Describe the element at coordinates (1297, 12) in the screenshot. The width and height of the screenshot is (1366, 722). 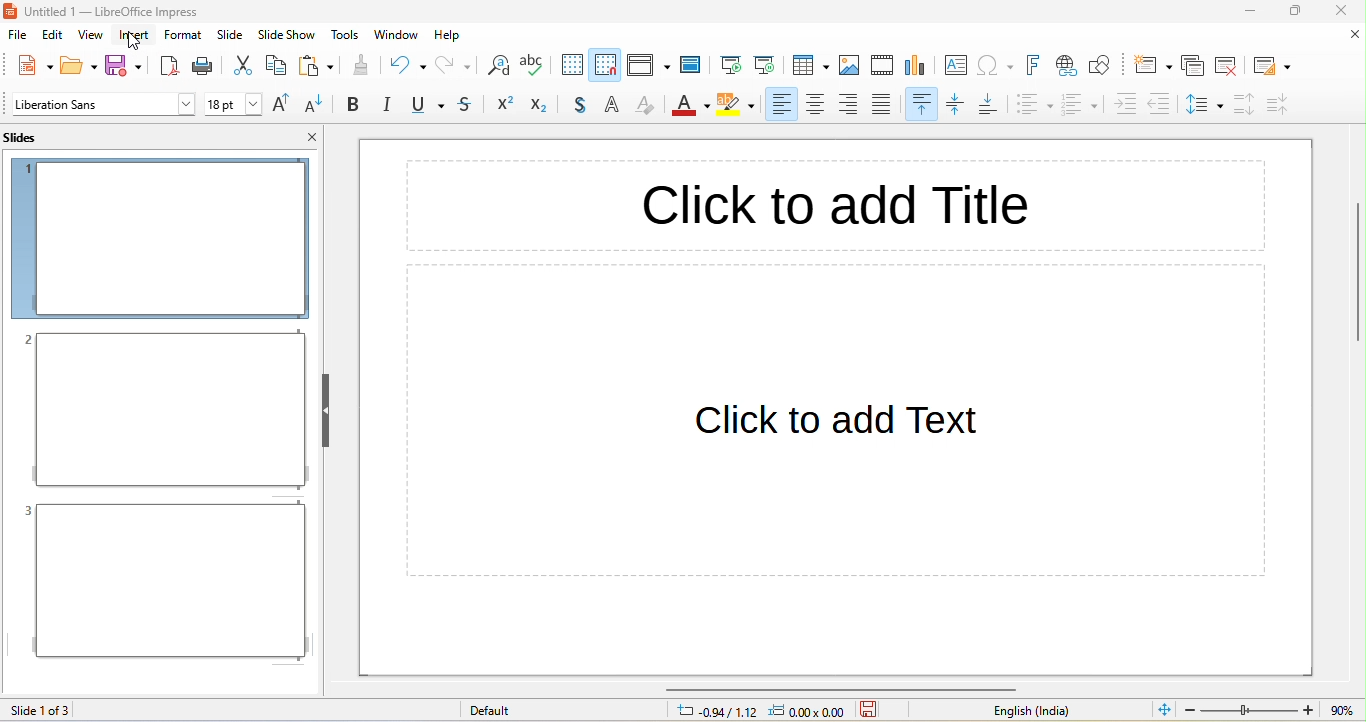
I see `maximize` at that location.